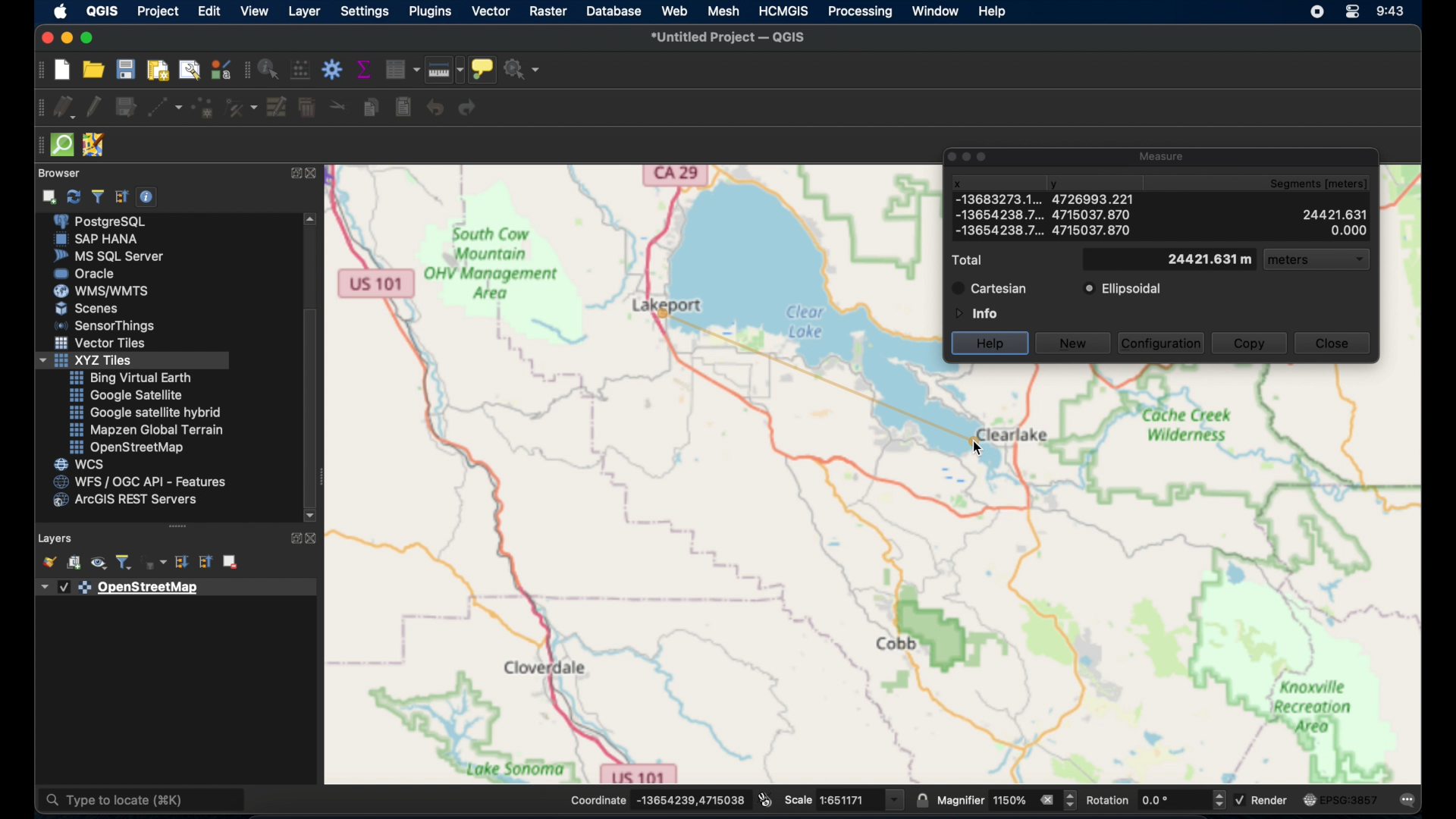 The height and width of the screenshot is (819, 1456). What do you see at coordinates (97, 196) in the screenshot?
I see `filter browser` at bounding box center [97, 196].